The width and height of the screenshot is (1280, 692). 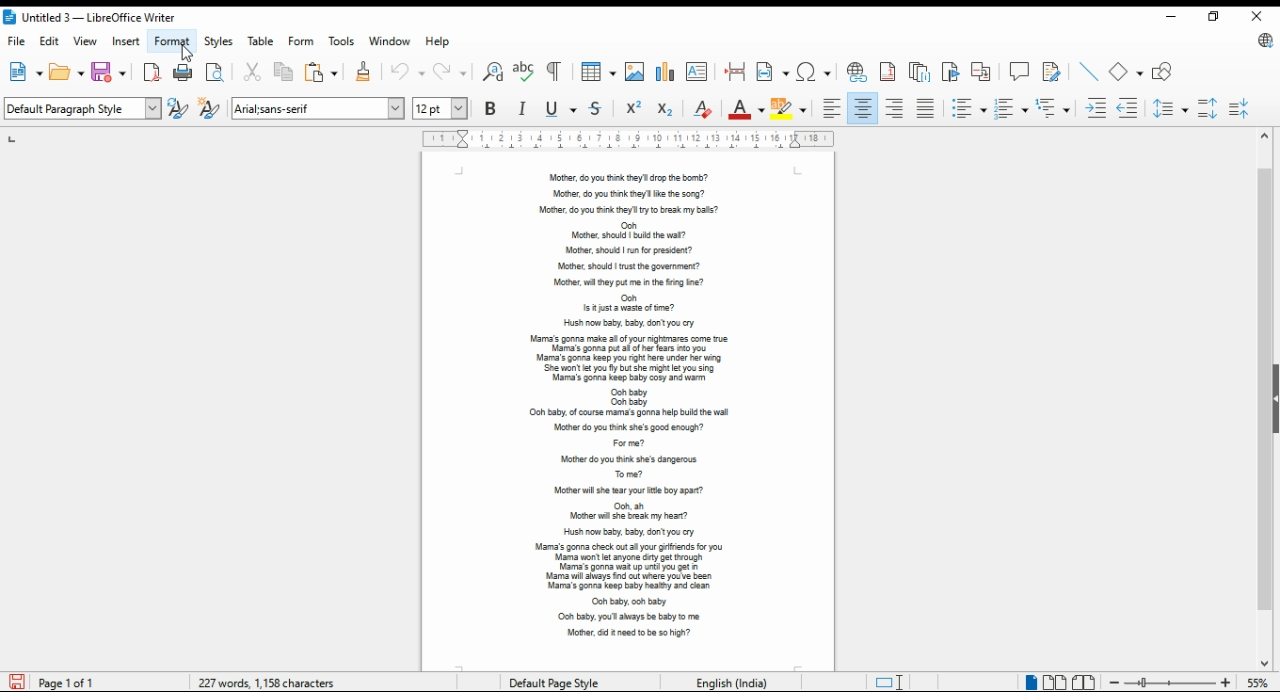 What do you see at coordinates (172, 40) in the screenshot?
I see `format` at bounding box center [172, 40].